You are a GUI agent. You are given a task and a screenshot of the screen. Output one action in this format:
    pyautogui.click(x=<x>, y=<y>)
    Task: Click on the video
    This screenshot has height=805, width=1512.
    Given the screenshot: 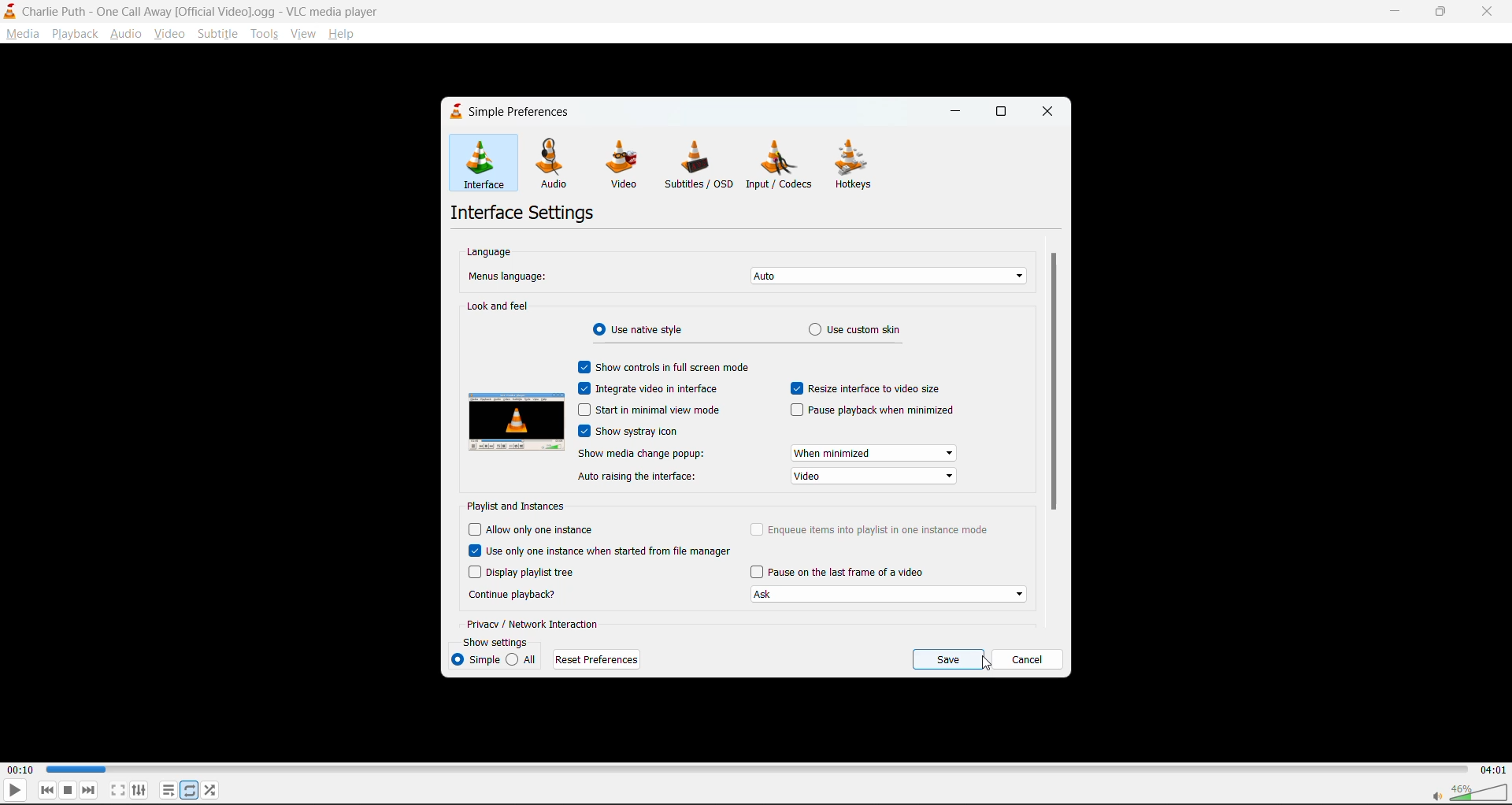 What is the action you would take?
    pyautogui.click(x=624, y=166)
    